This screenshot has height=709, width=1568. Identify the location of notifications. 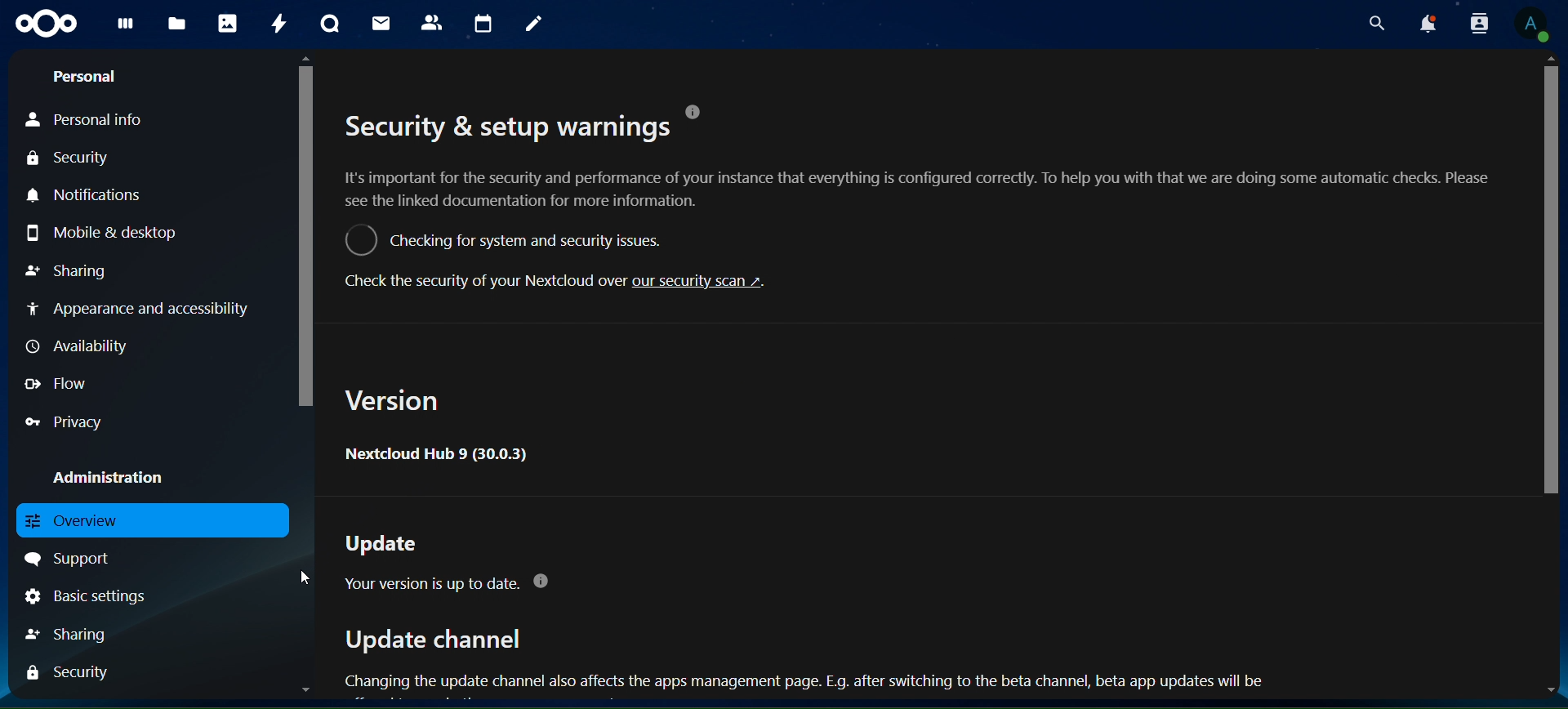
(1424, 24).